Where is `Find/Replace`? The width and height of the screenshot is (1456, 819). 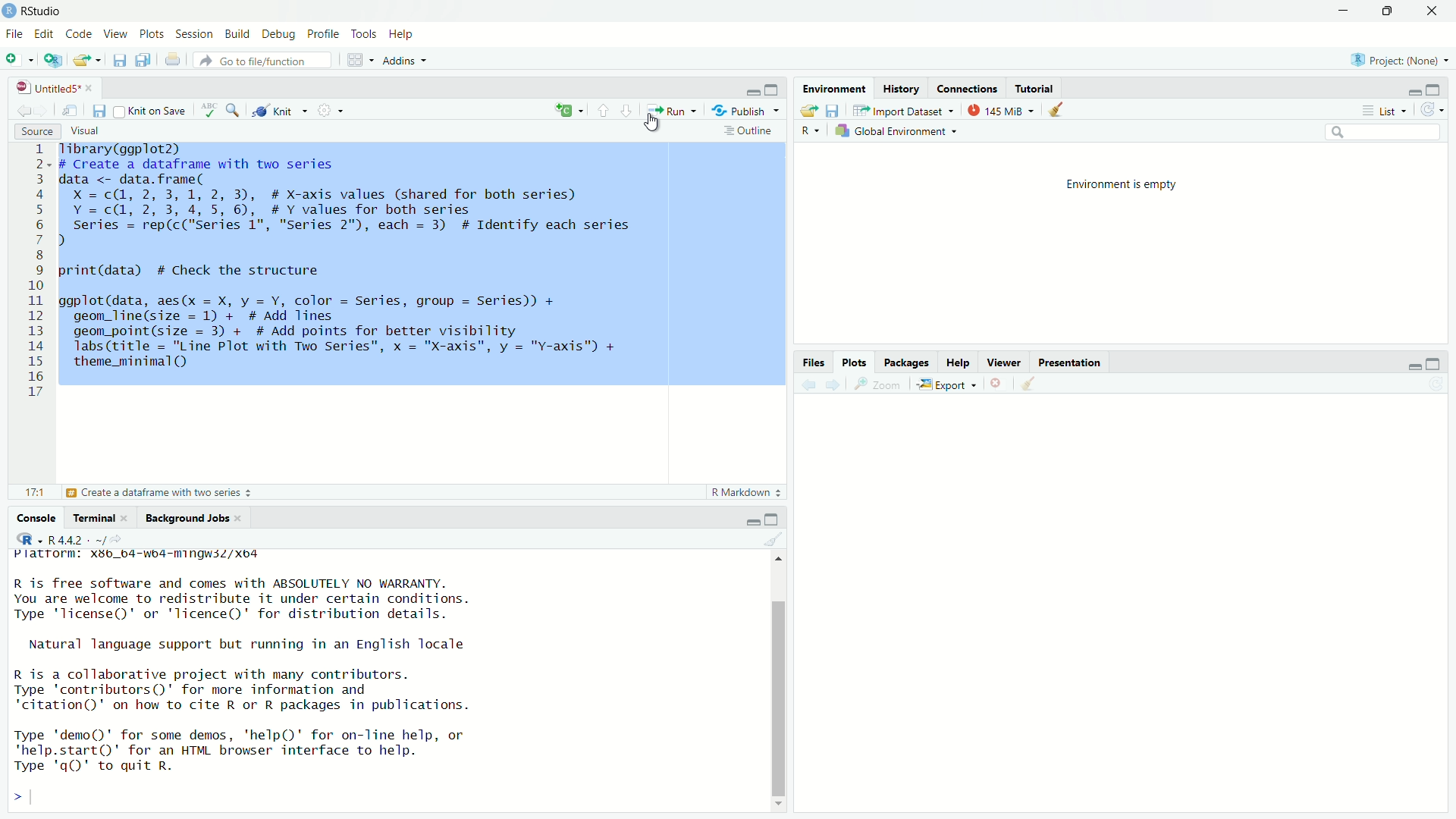 Find/Replace is located at coordinates (233, 111).